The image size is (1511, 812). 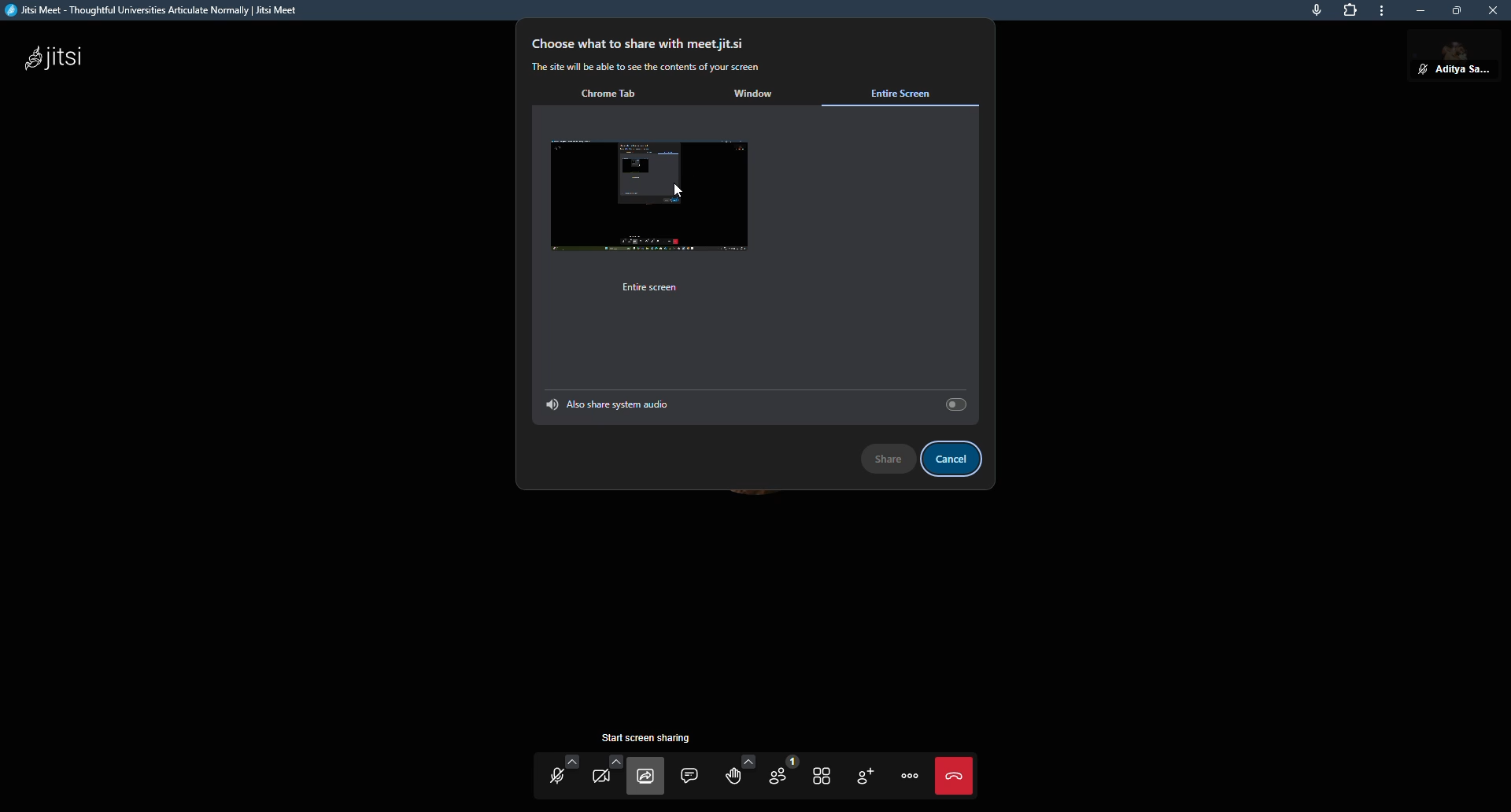 What do you see at coordinates (755, 94) in the screenshot?
I see `window` at bounding box center [755, 94].